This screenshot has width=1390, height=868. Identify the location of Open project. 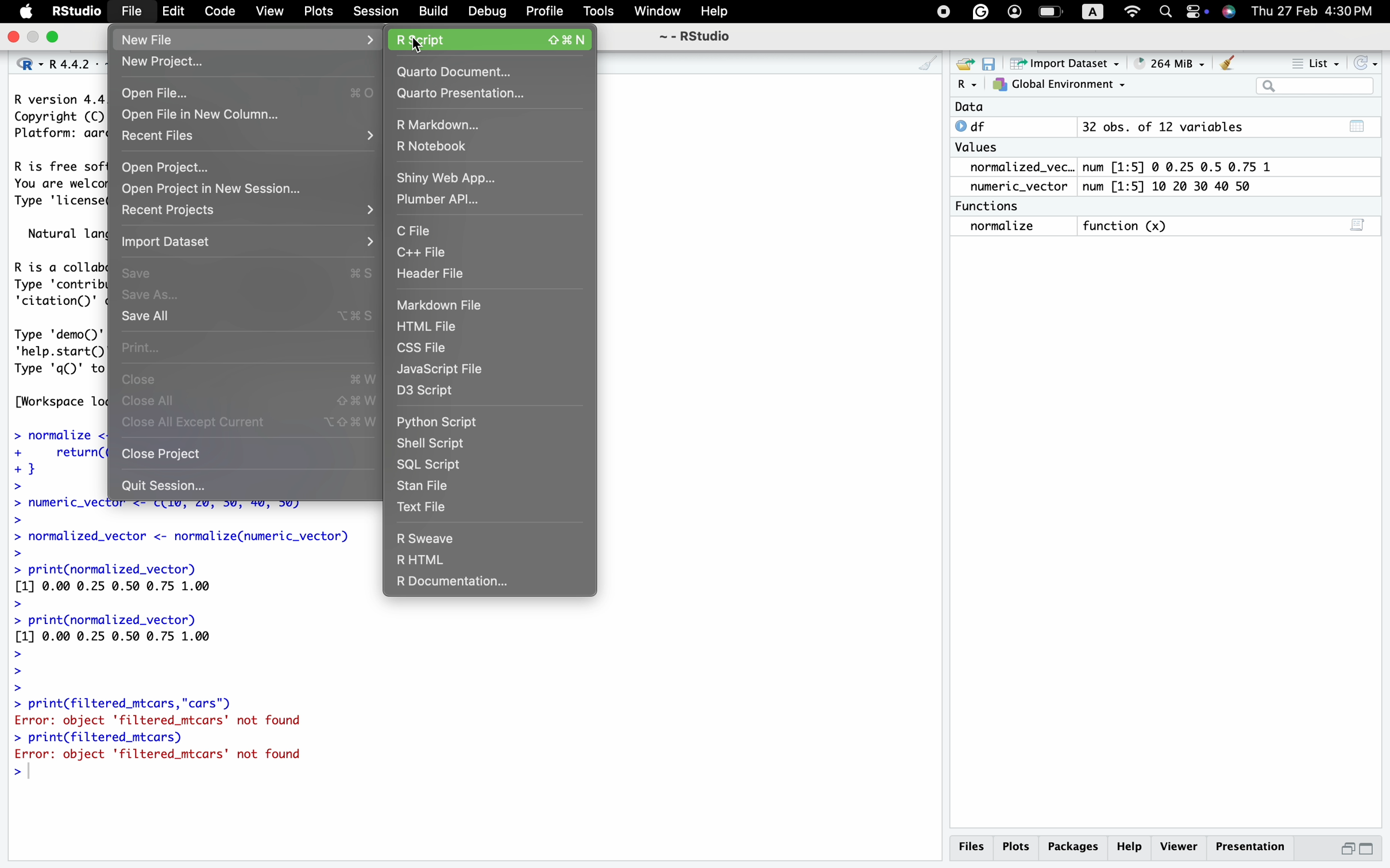
(249, 165).